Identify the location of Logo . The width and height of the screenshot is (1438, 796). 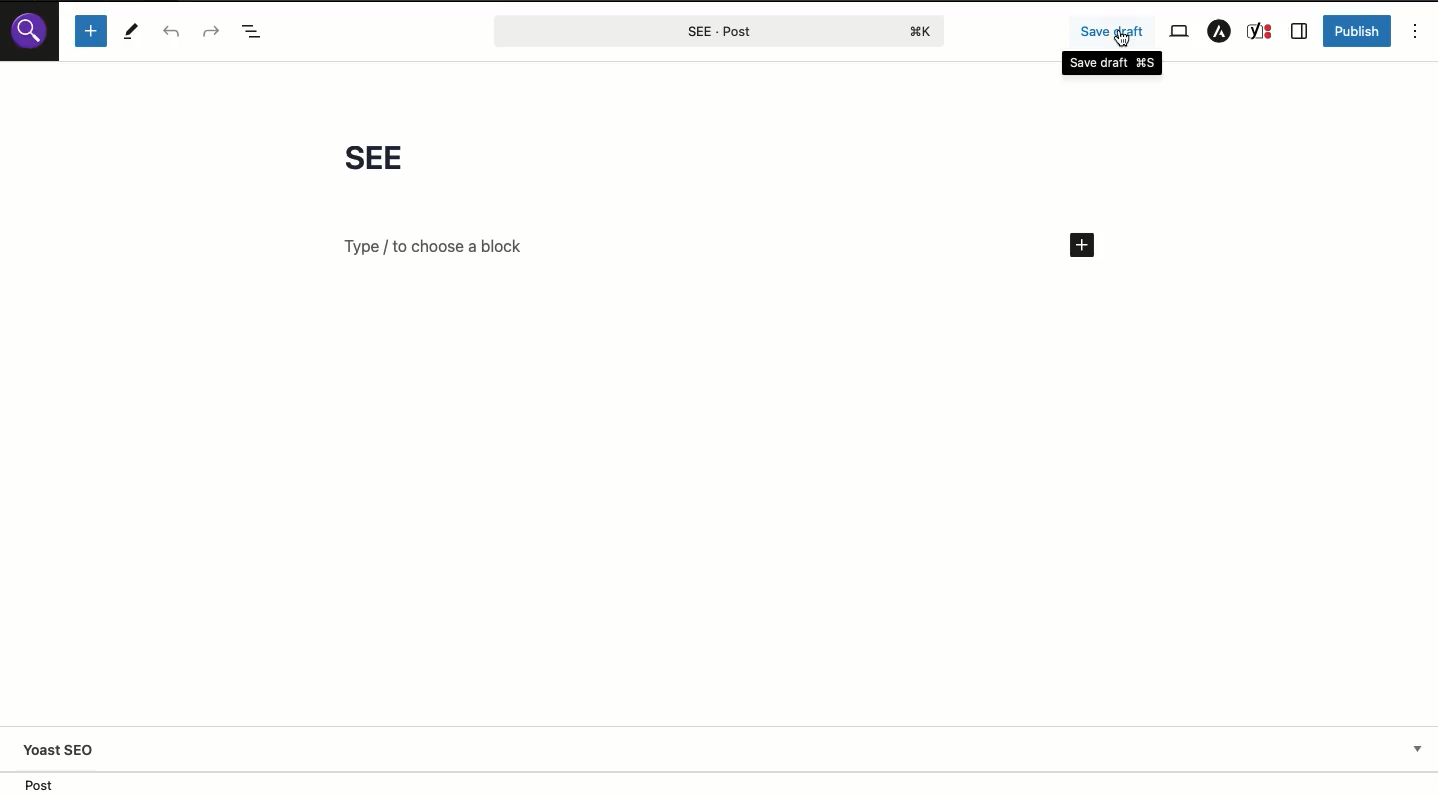
(32, 32).